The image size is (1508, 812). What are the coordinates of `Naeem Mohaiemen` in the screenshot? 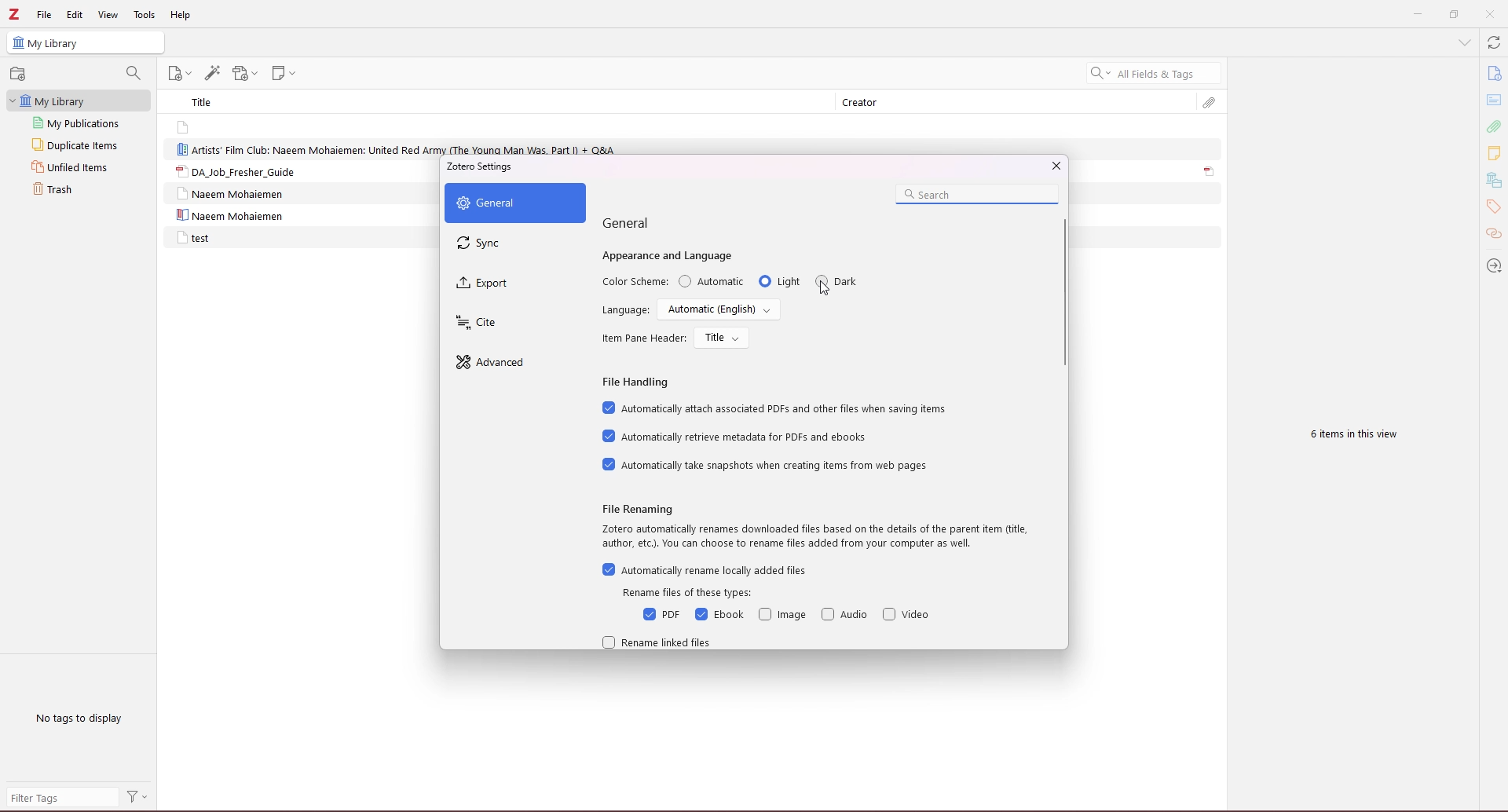 It's located at (235, 194).